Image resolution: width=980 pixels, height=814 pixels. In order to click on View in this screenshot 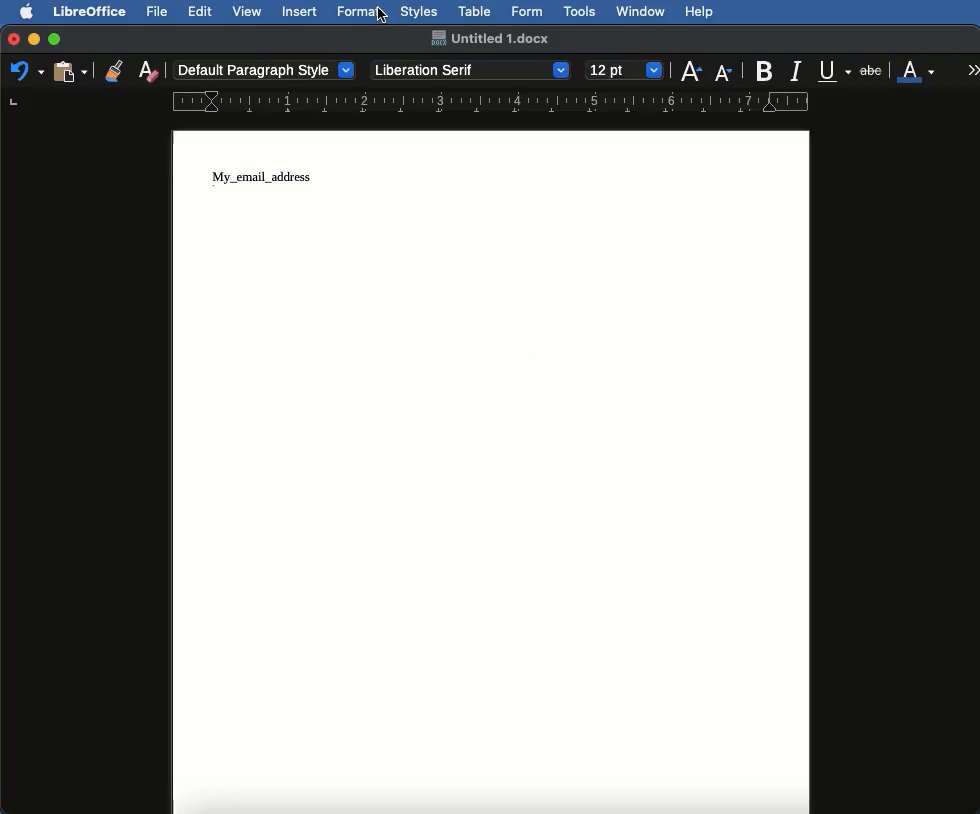, I will do `click(248, 11)`.